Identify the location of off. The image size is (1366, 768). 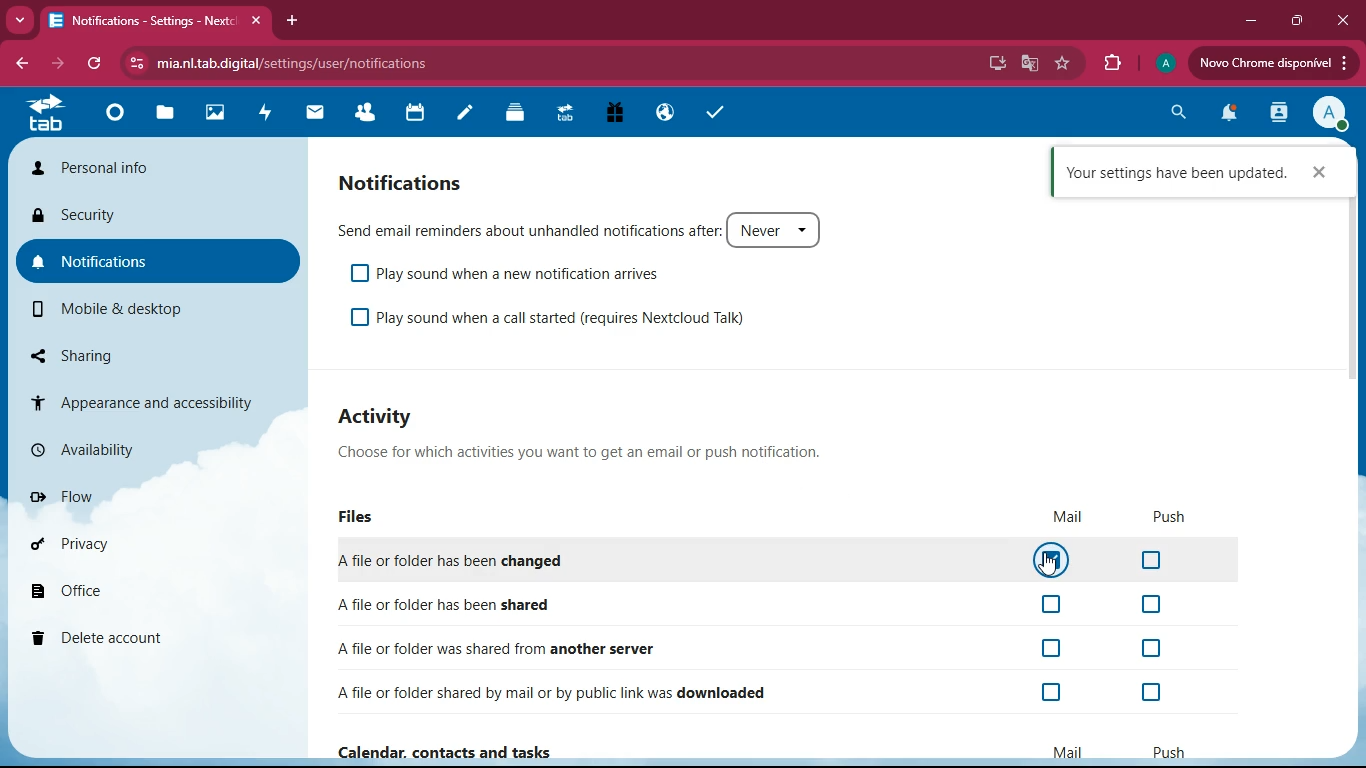
(1152, 605).